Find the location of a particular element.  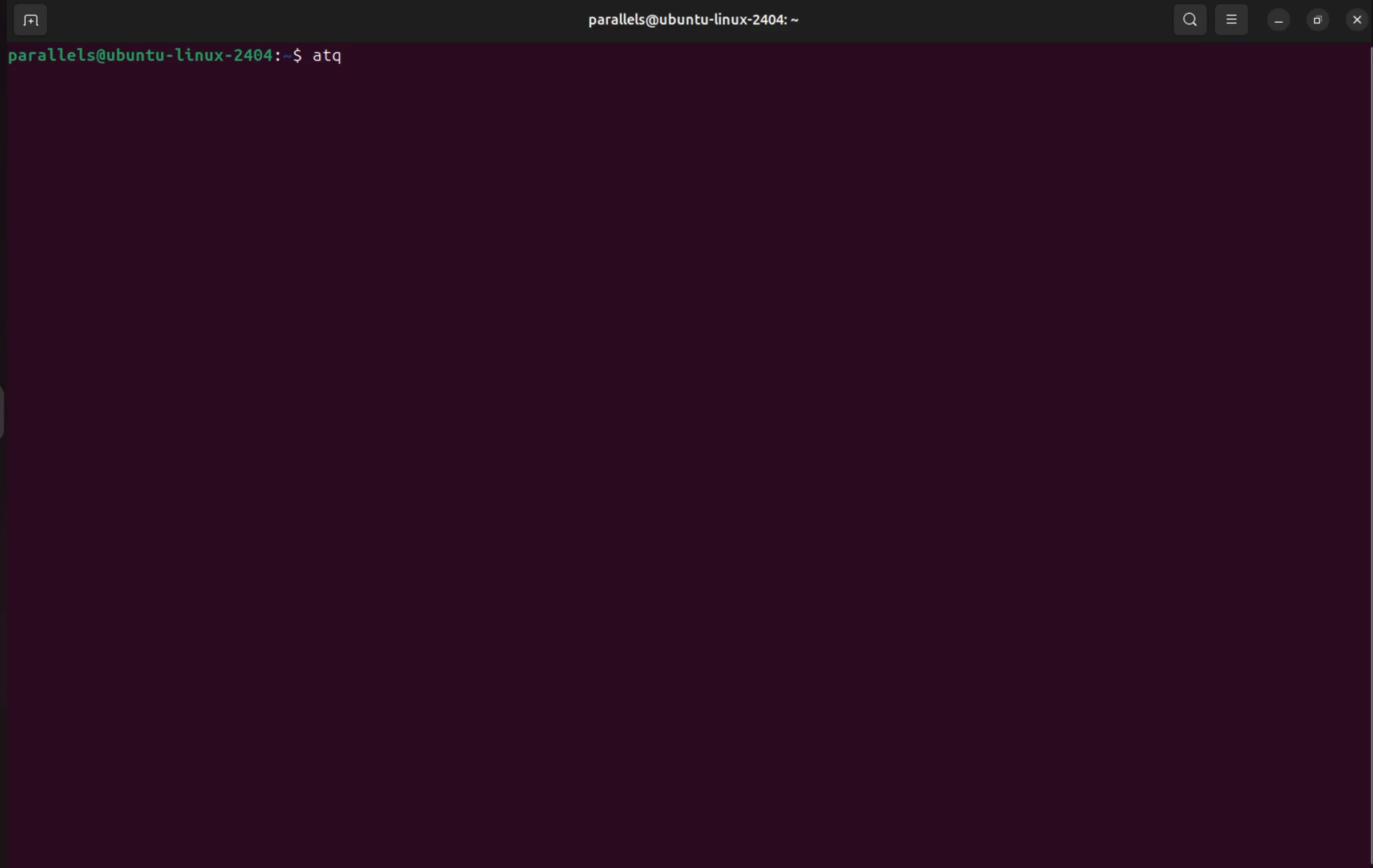

view options is located at coordinates (1233, 21).